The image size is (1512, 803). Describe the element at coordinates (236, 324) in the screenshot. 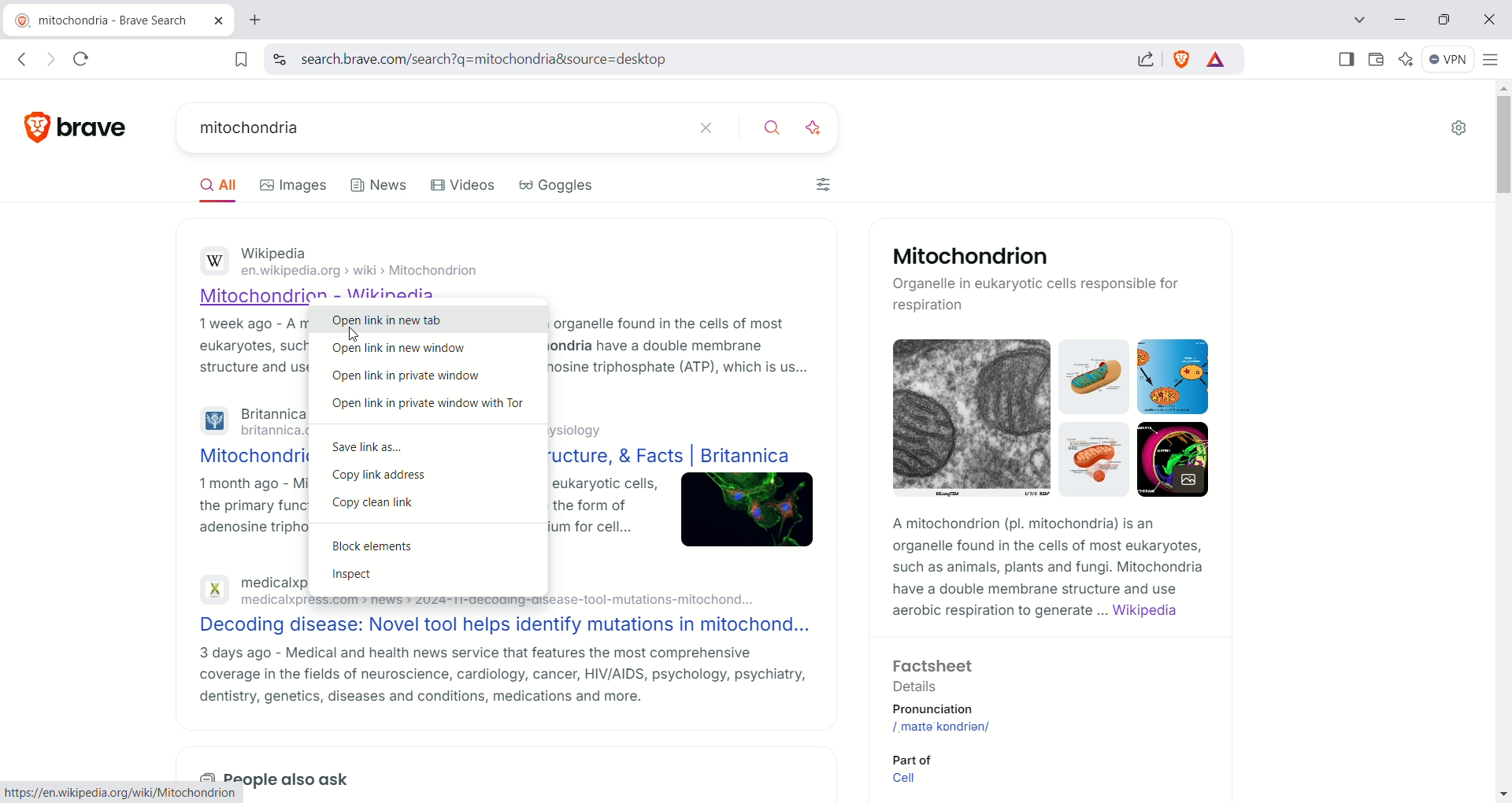

I see `1 week ago` at that location.